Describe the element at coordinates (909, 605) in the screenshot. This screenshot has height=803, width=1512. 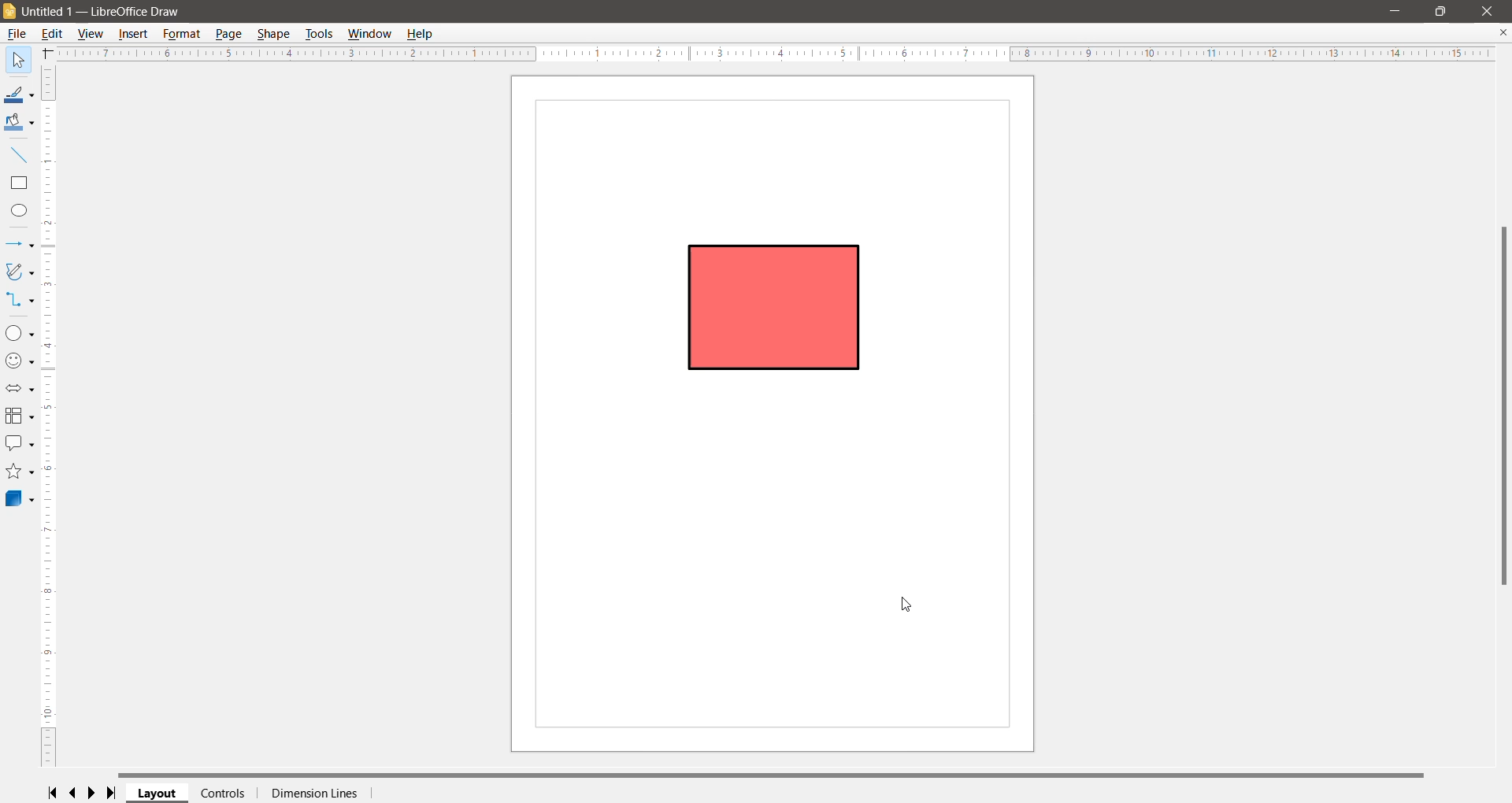
I see `Cursor` at that location.